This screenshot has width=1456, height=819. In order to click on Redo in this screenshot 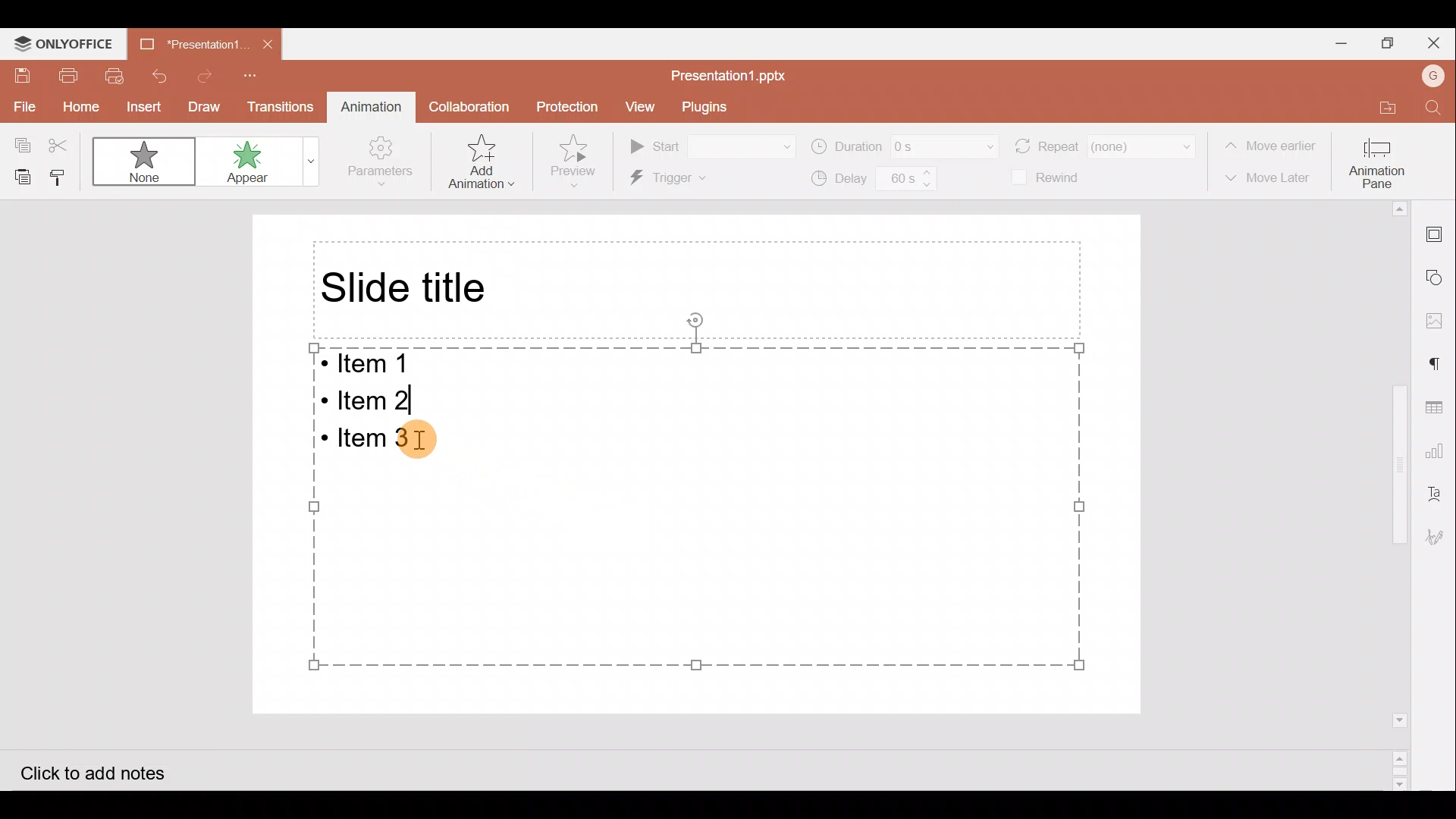, I will do `click(204, 76)`.